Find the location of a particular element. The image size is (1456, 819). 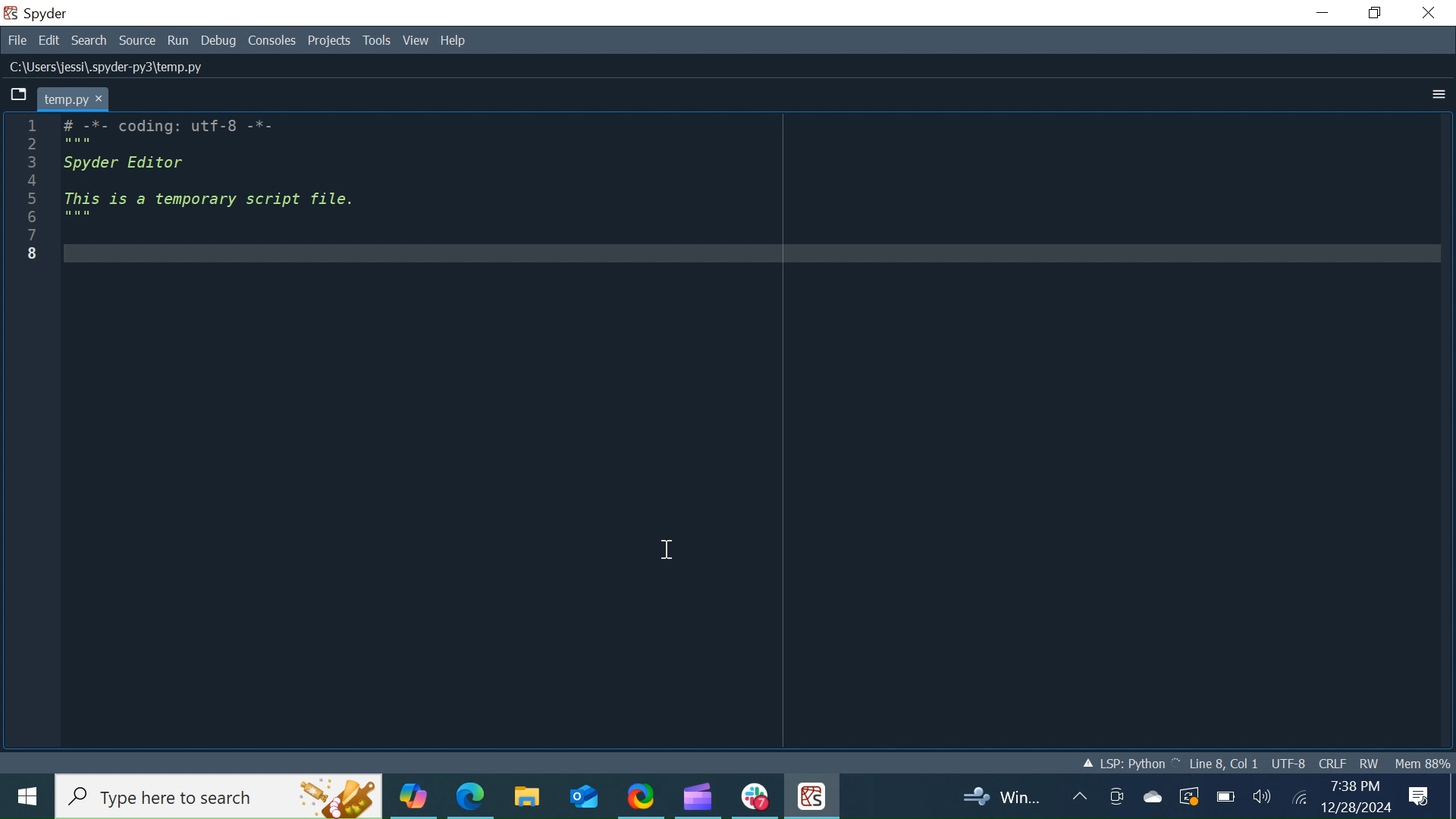

ShareX is located at coordinates (641, 795).